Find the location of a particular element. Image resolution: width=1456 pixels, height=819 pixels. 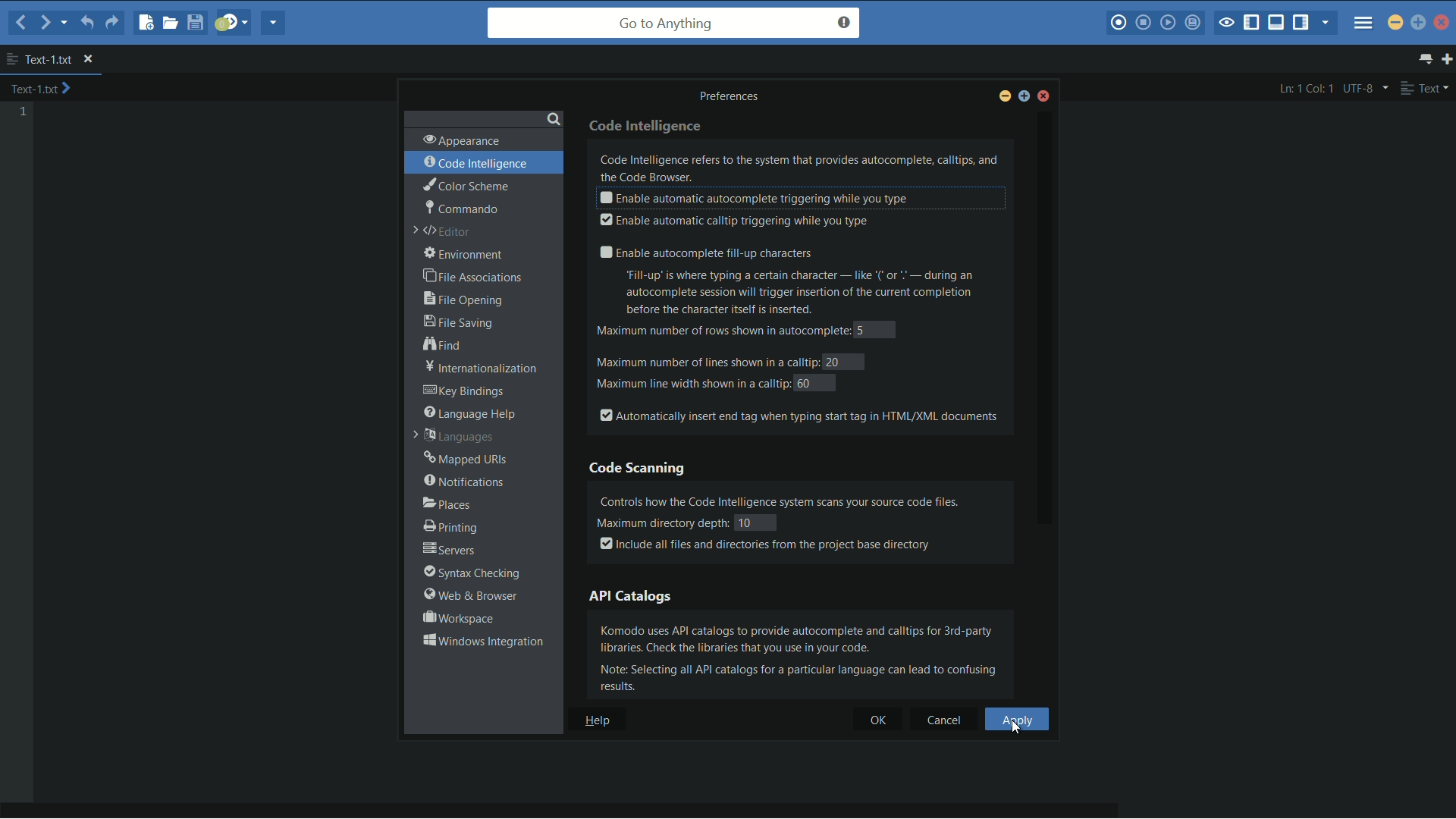

stop macro is located at coordinates (1144, 24).